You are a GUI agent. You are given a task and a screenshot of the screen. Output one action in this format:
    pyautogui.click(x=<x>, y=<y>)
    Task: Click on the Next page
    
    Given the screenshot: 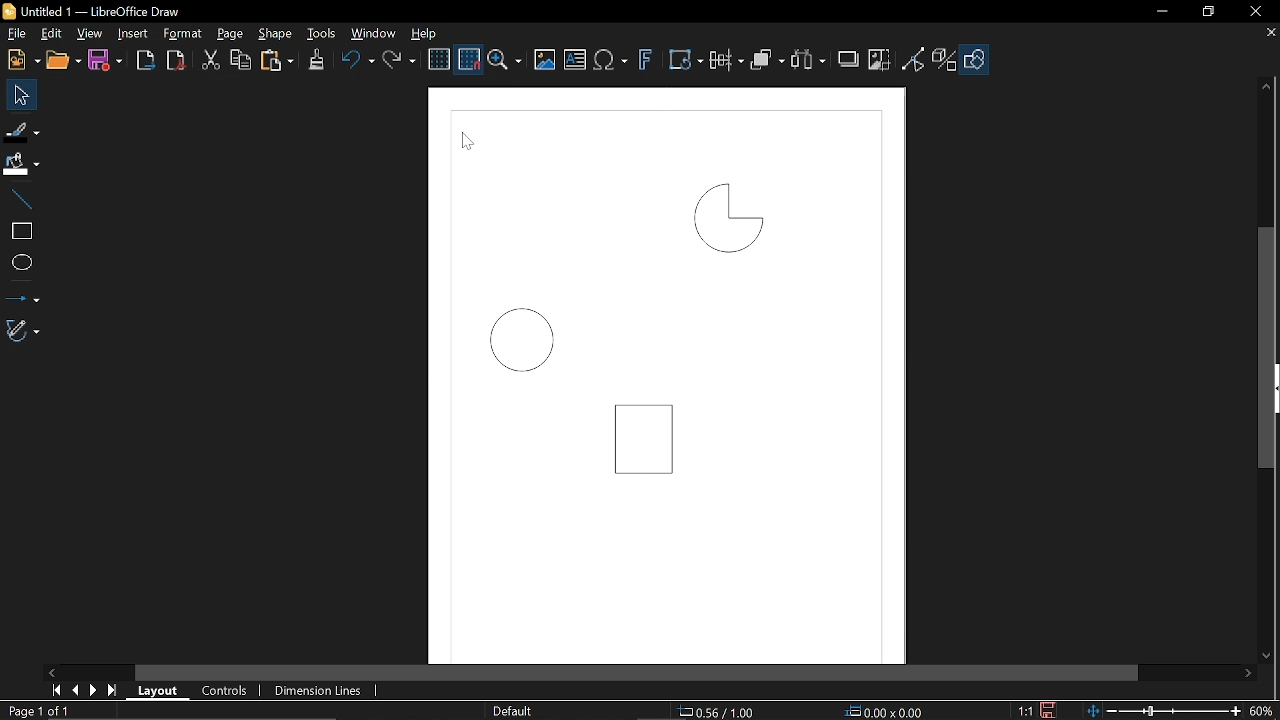 What is the action you would take?
    pyautogui.click(x=93, y=690)
    